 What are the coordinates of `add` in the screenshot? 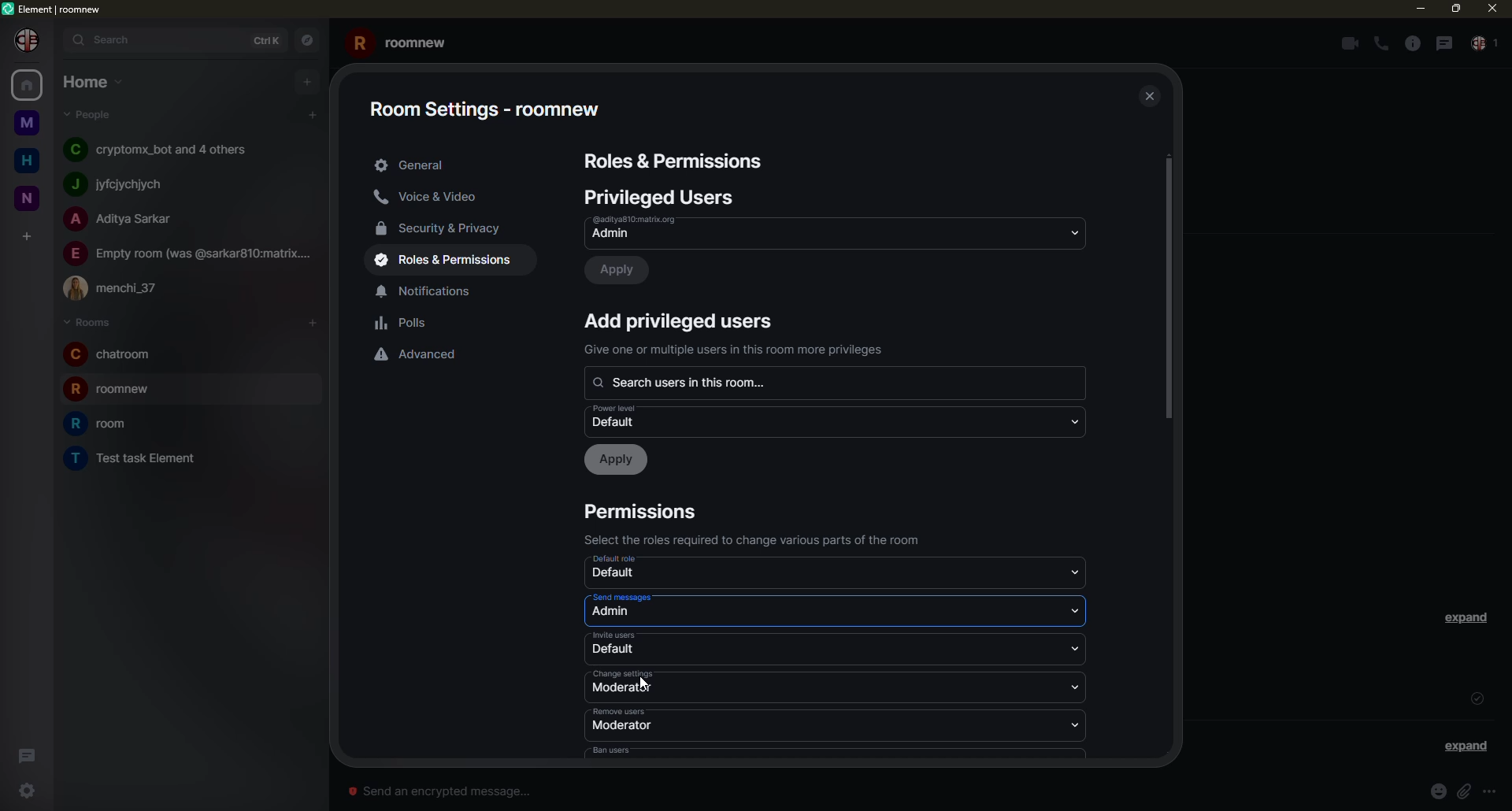 It's located at (313, 114).